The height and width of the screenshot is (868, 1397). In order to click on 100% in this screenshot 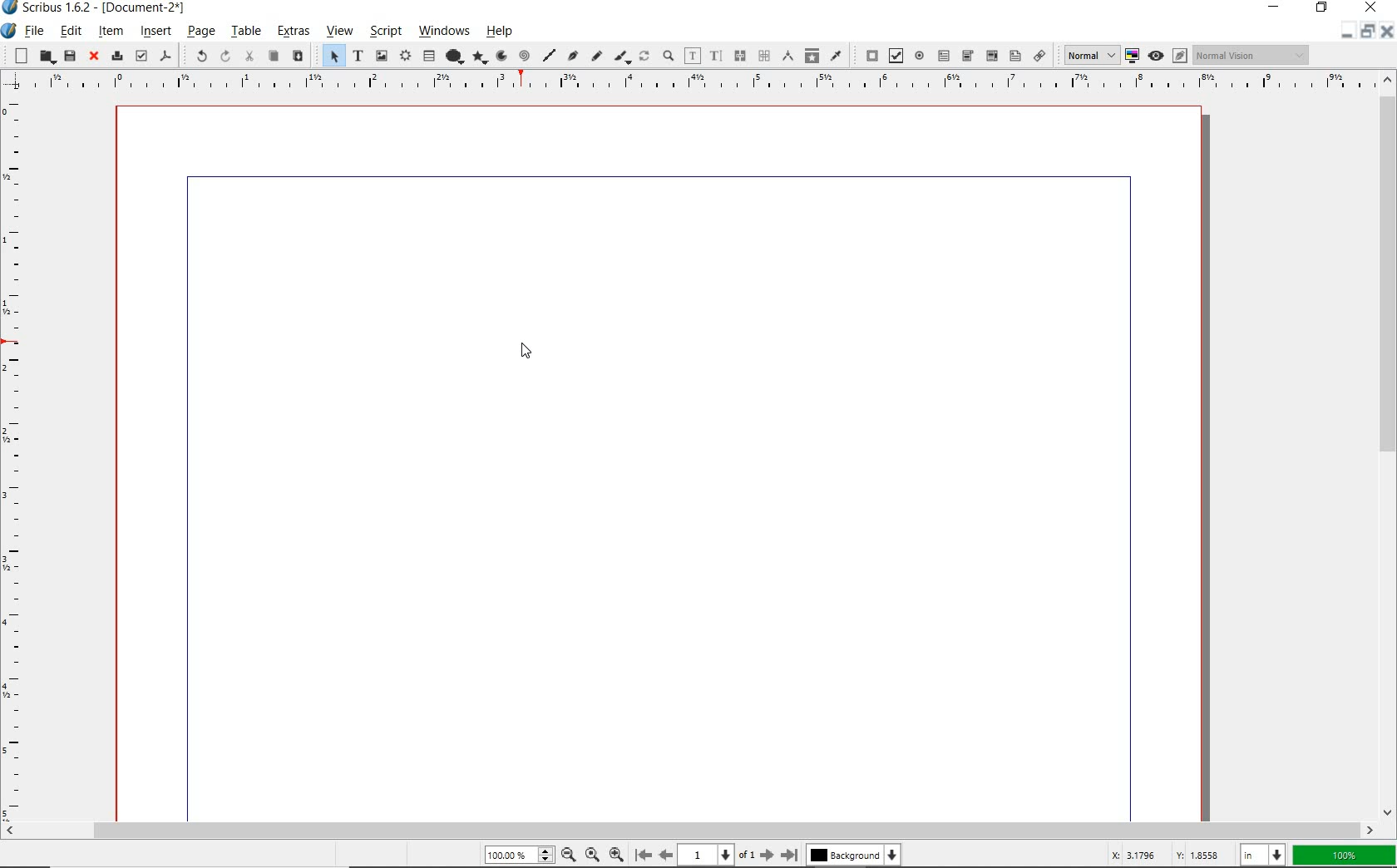, I will do `click(521, 854)`.